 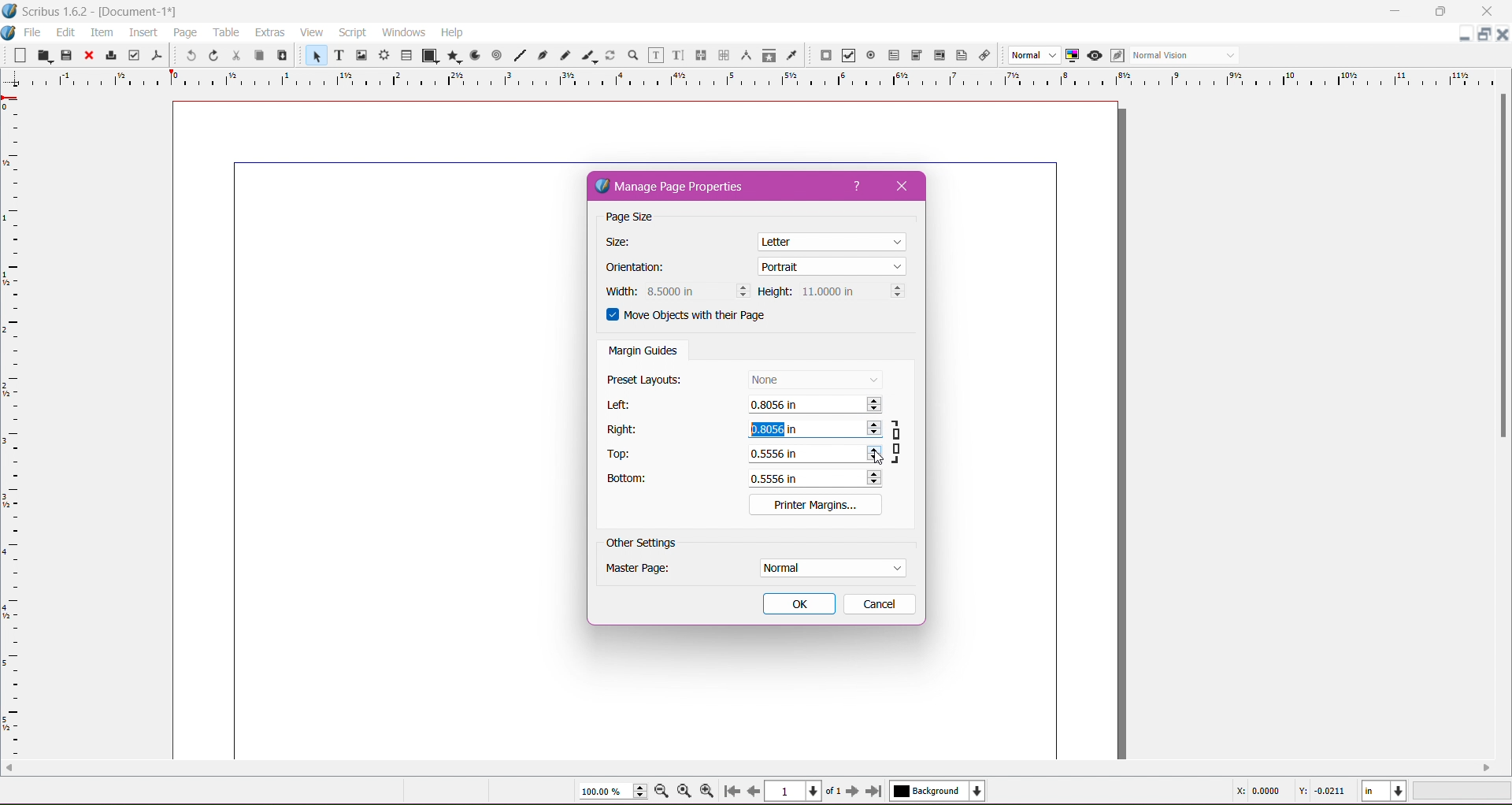 I want to click on Bottom, so click(x=636, y=480).